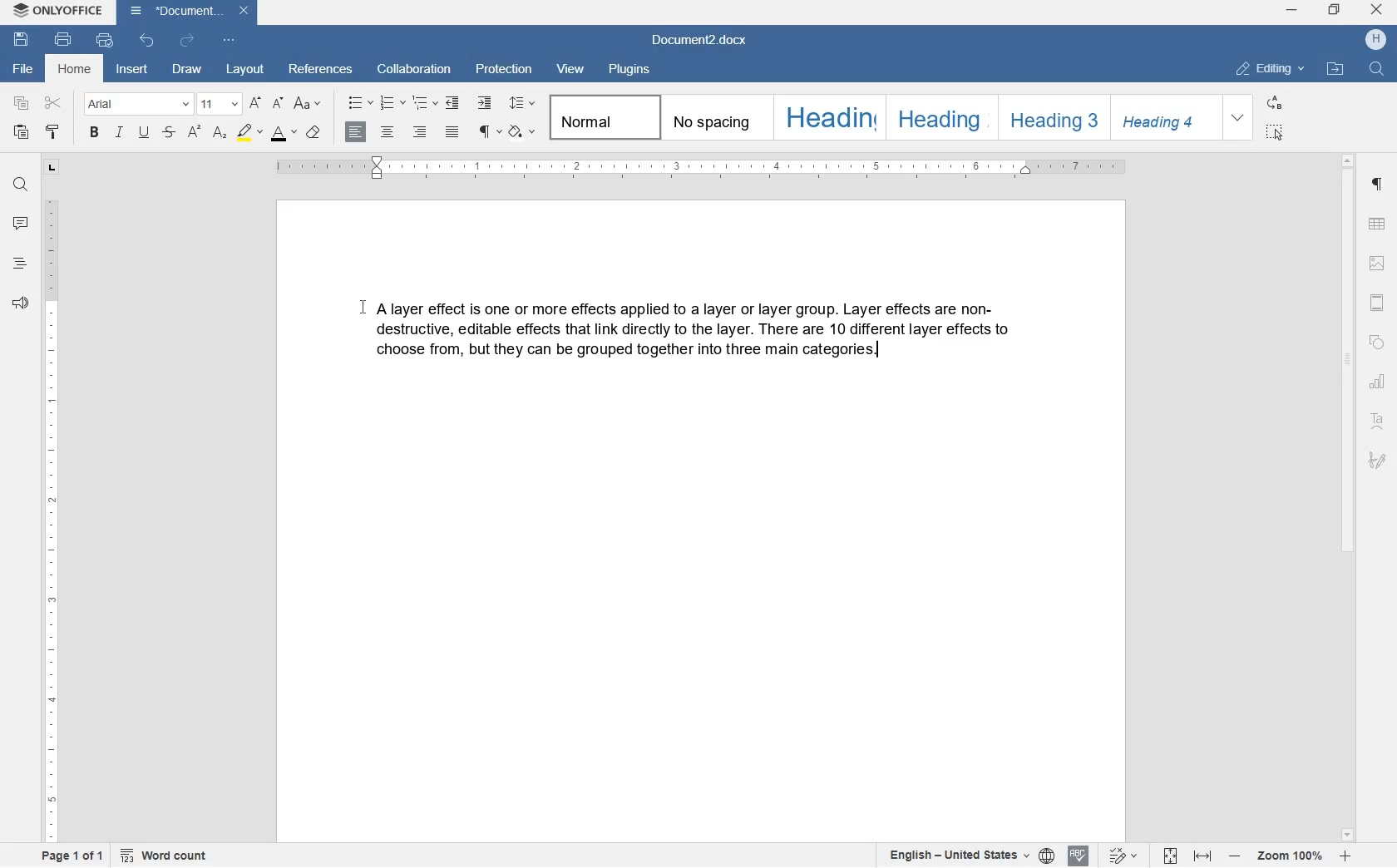 The width and height of the screenshot is (1397, 868). What do you see at coordinates (74, 856) in the screenshot?
I see `page 1 of 1` at bounding box center [74, 856].